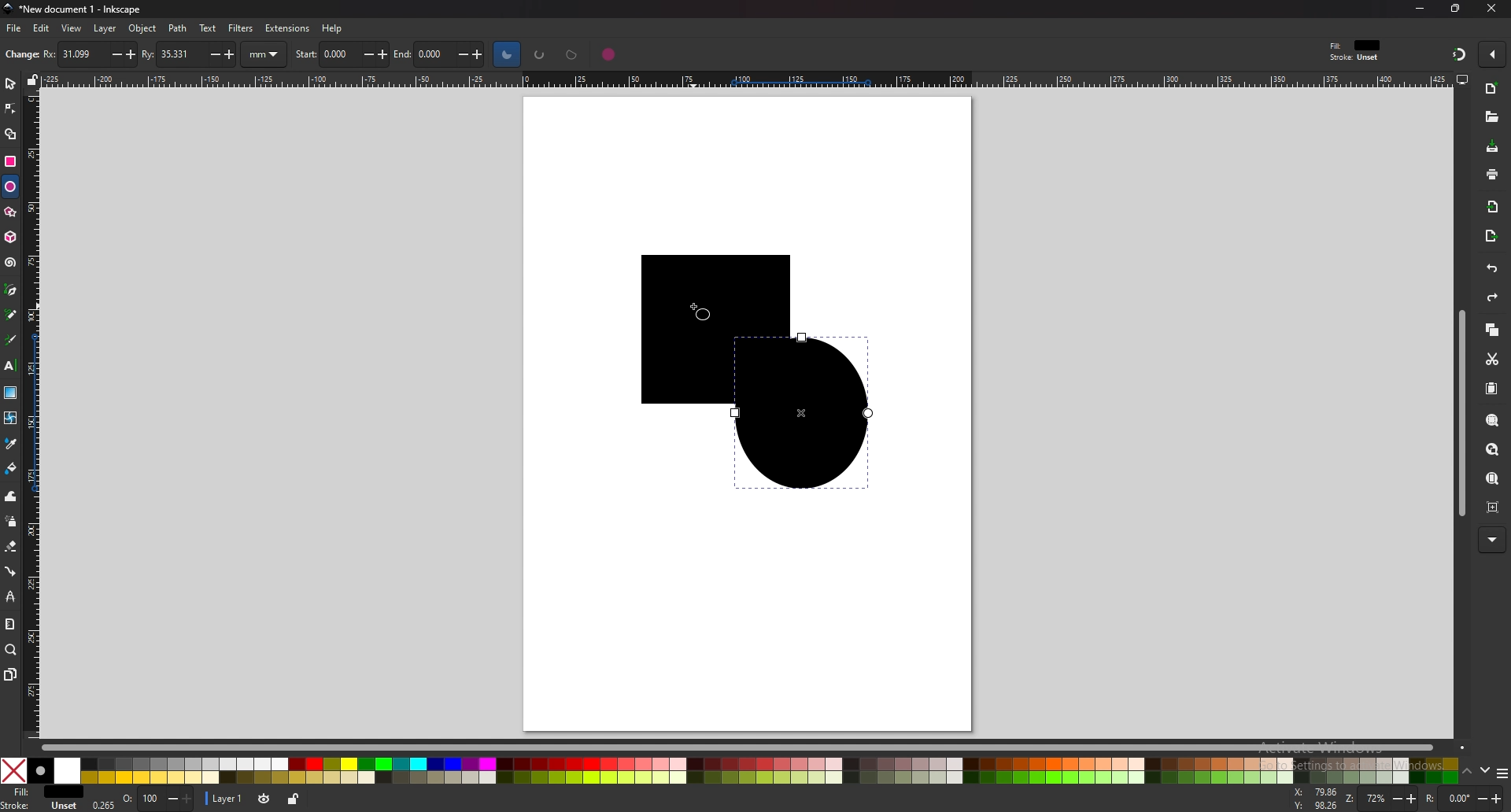 Image resolution: width=1511 pixels, height=812 pixels. Describe the element at coordinates (10, 82) in the screenshot. I see `select` at that location.